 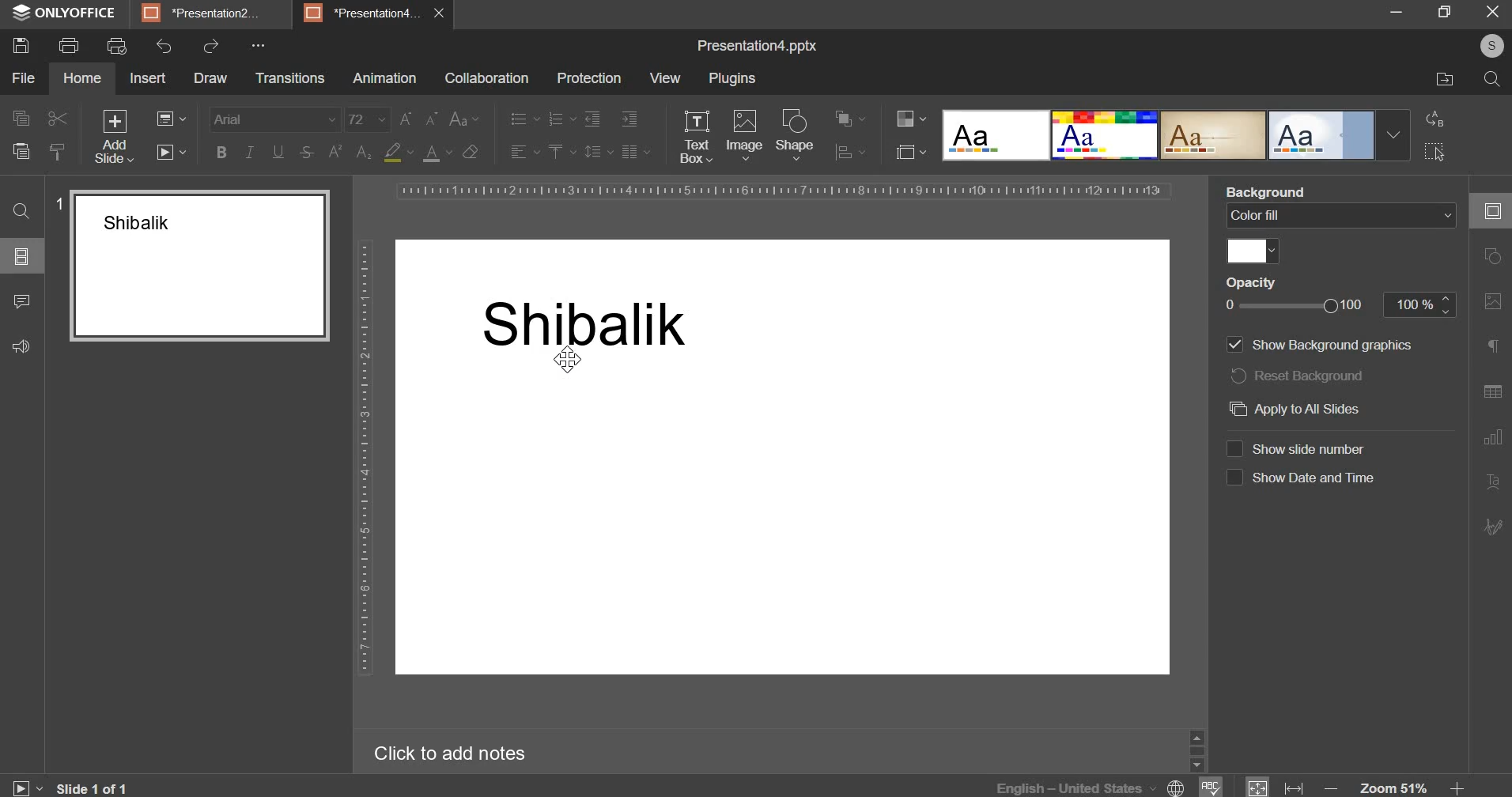 I want to click on paragraph, so click(x=1492, y=347).